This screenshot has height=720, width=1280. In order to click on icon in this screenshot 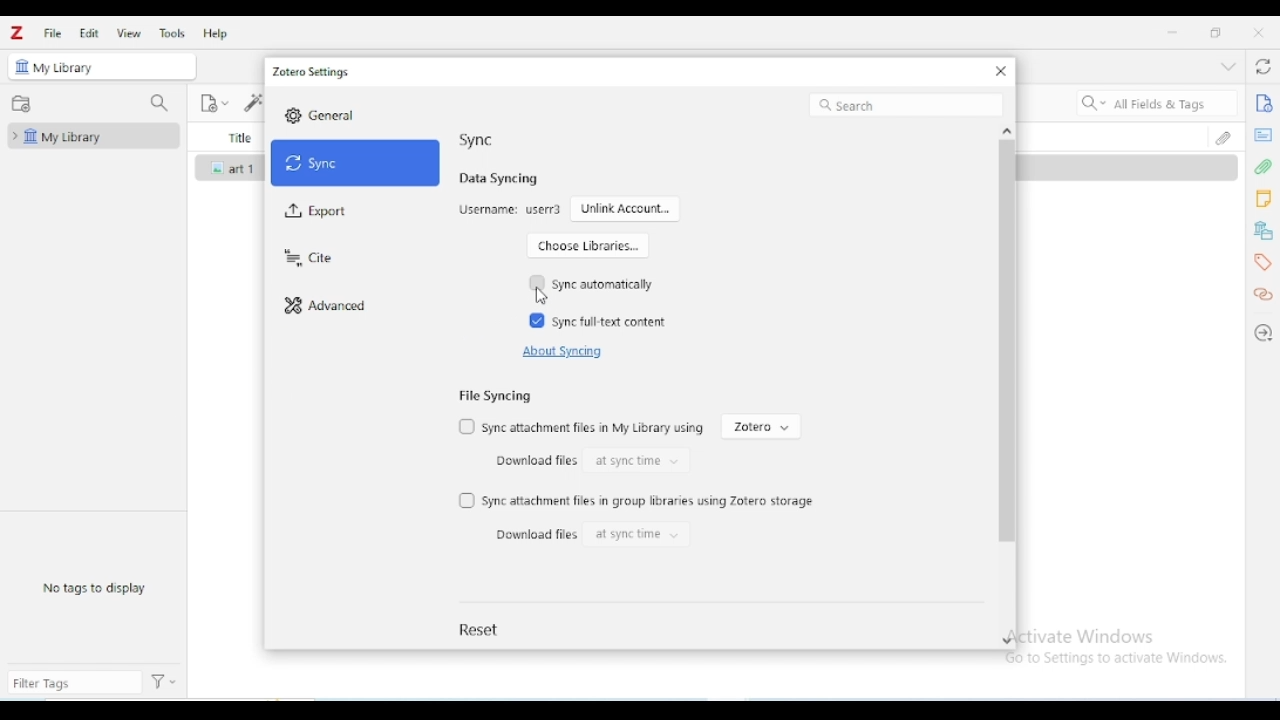, I will do `click(23, 66)`.